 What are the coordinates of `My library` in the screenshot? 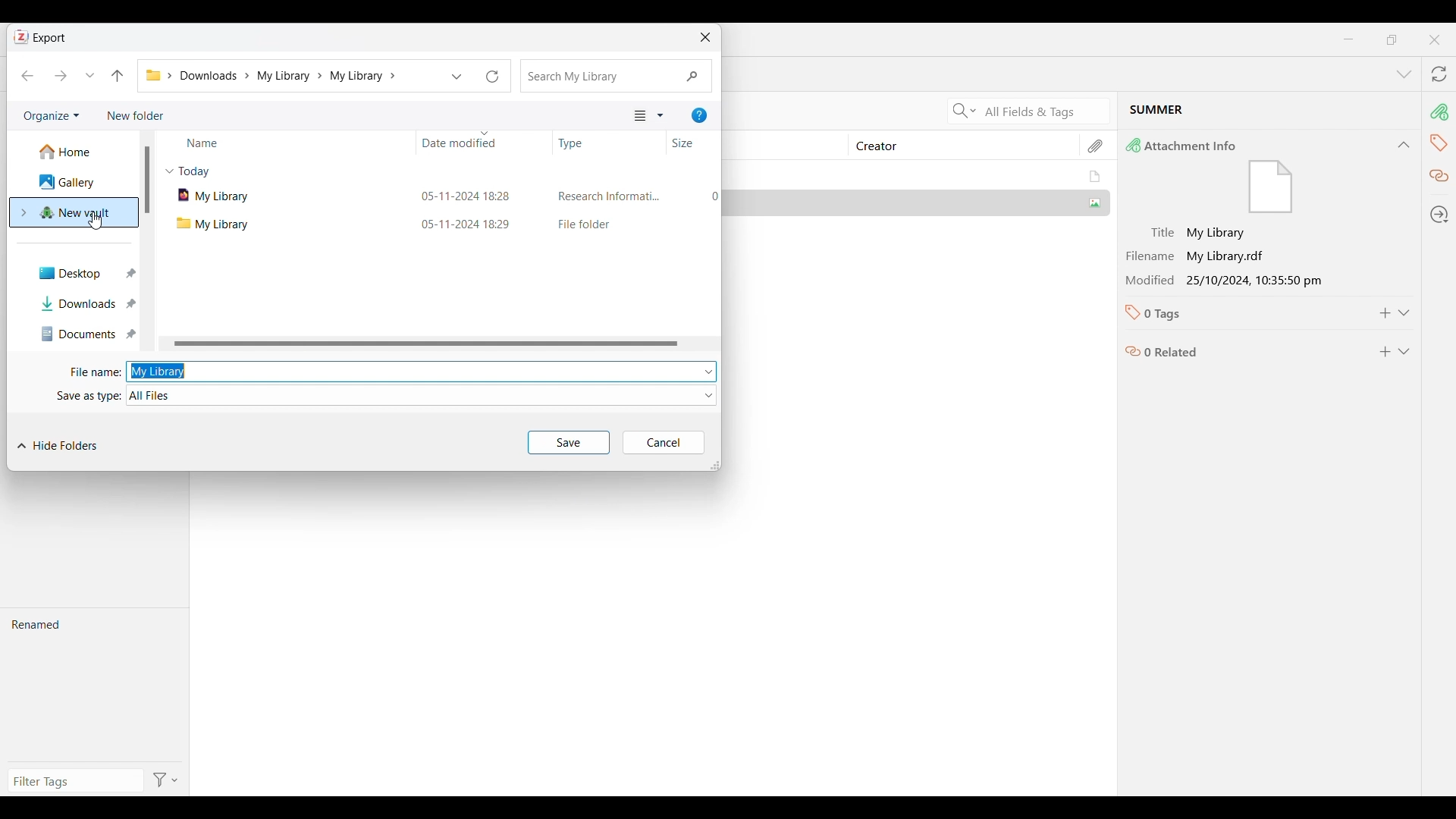 It's located at (367, 76).